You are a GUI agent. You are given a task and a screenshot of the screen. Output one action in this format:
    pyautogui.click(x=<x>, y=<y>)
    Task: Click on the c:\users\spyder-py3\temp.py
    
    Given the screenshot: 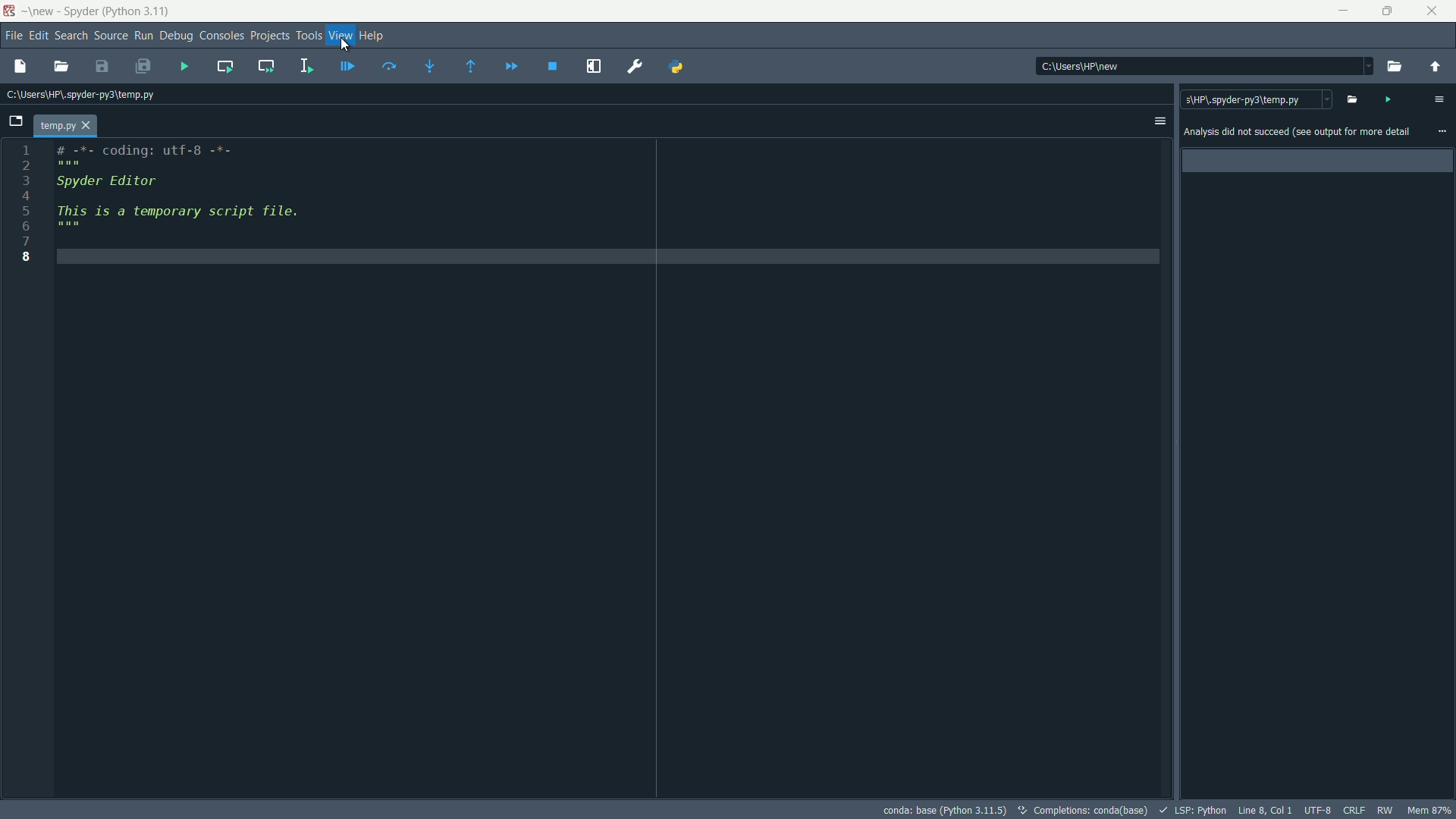 What is the action you would take?
    pyautogui.click(x=1257, y=99)
    